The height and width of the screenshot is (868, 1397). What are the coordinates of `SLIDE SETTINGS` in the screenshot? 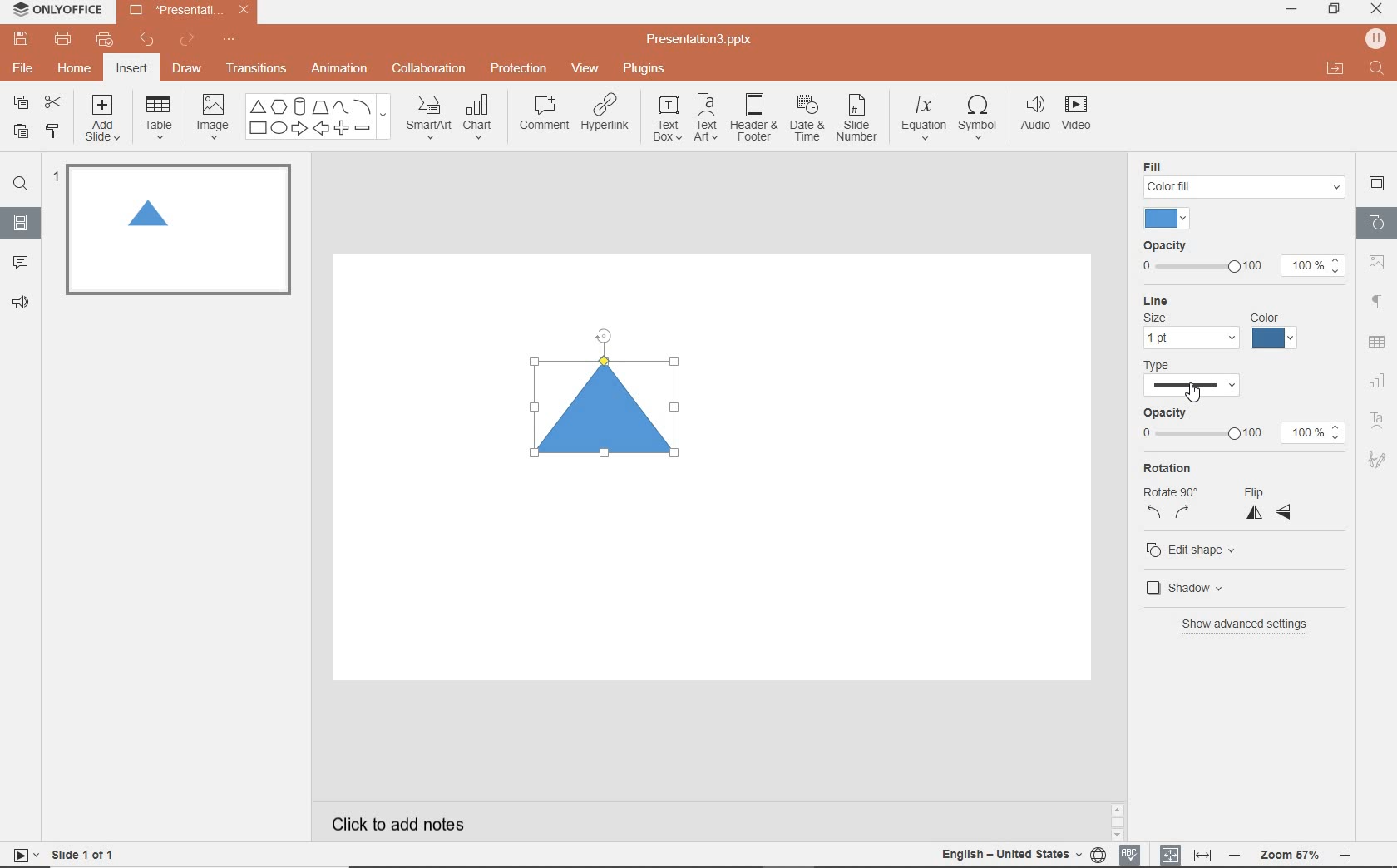 It's located at (1377, 185).